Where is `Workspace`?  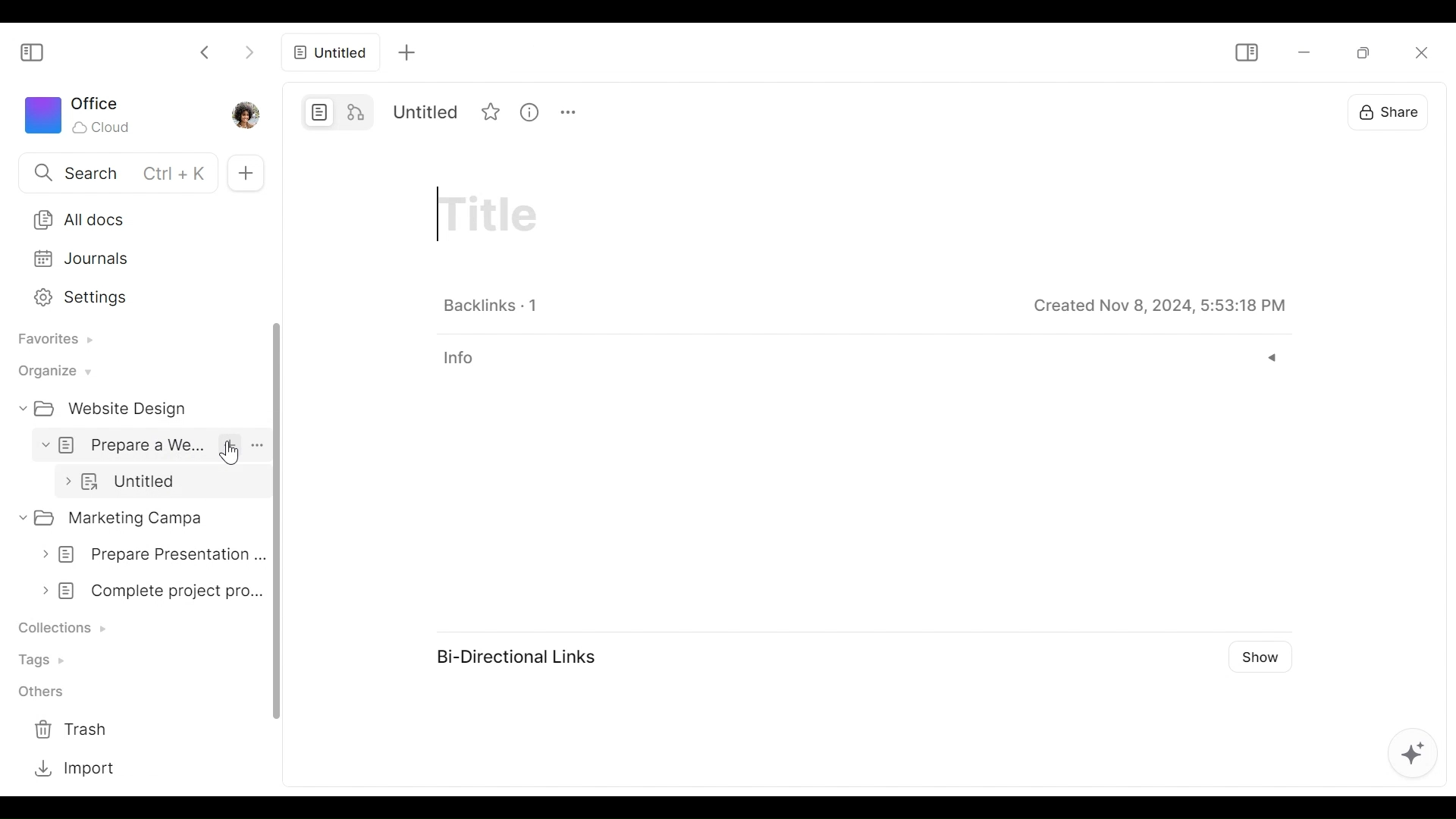
Workspace is located at coordinates (78, 115).